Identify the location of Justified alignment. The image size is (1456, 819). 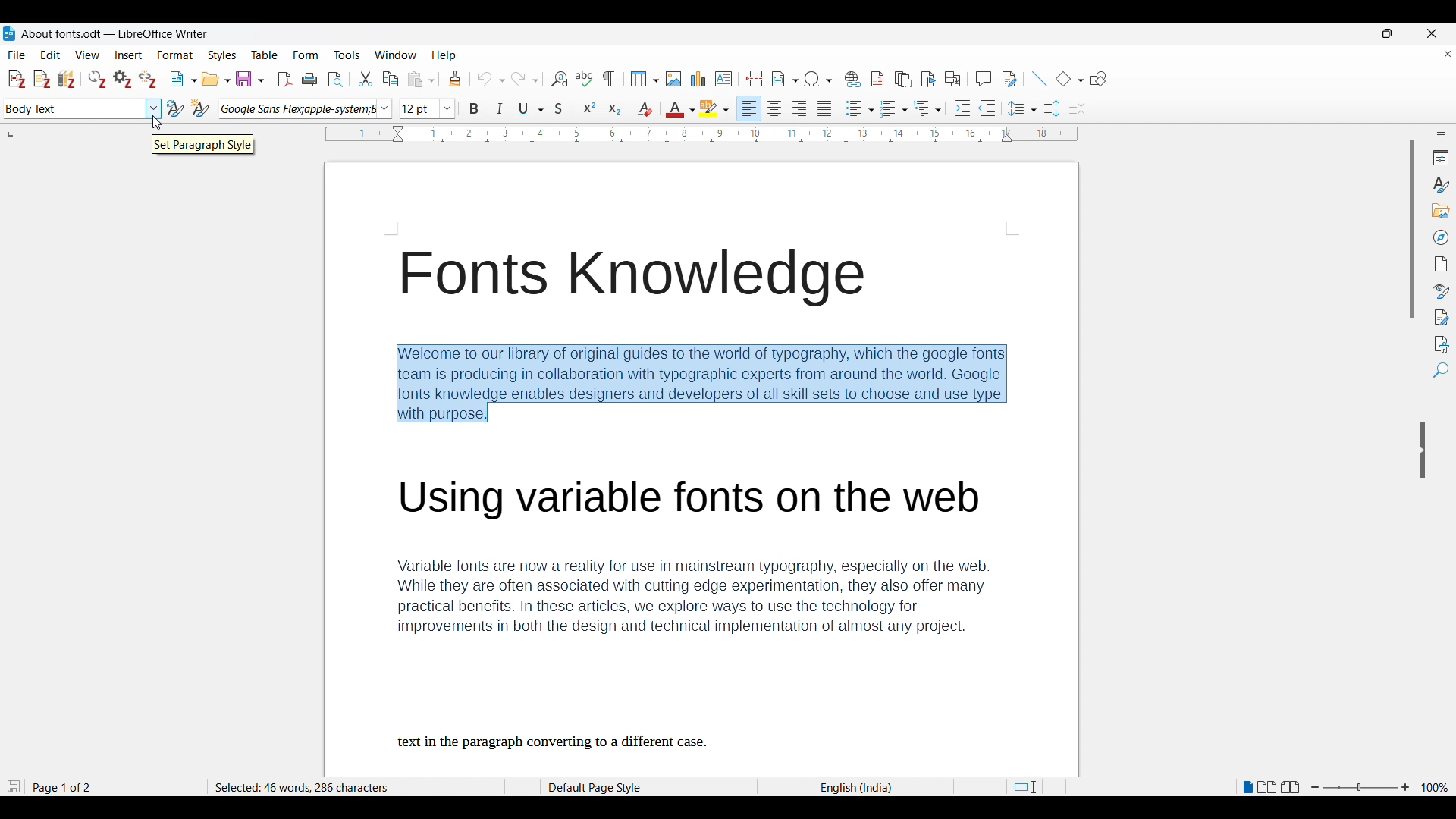
(824, 108).